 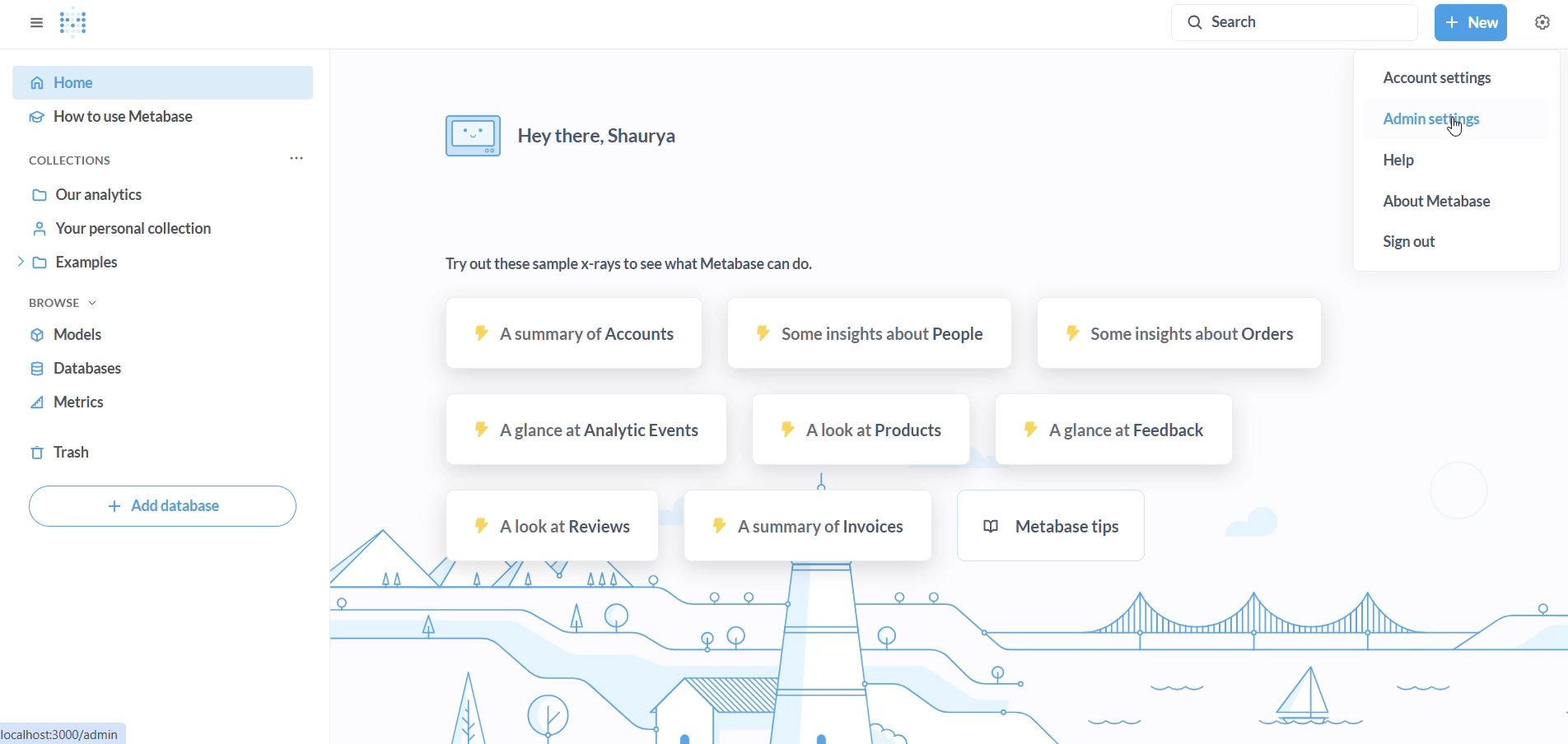 What do you see at coordinates (1118, 430) in the screenshot?
I see `¥ Aglance at Feedback` at bounding box center [1118, 430].